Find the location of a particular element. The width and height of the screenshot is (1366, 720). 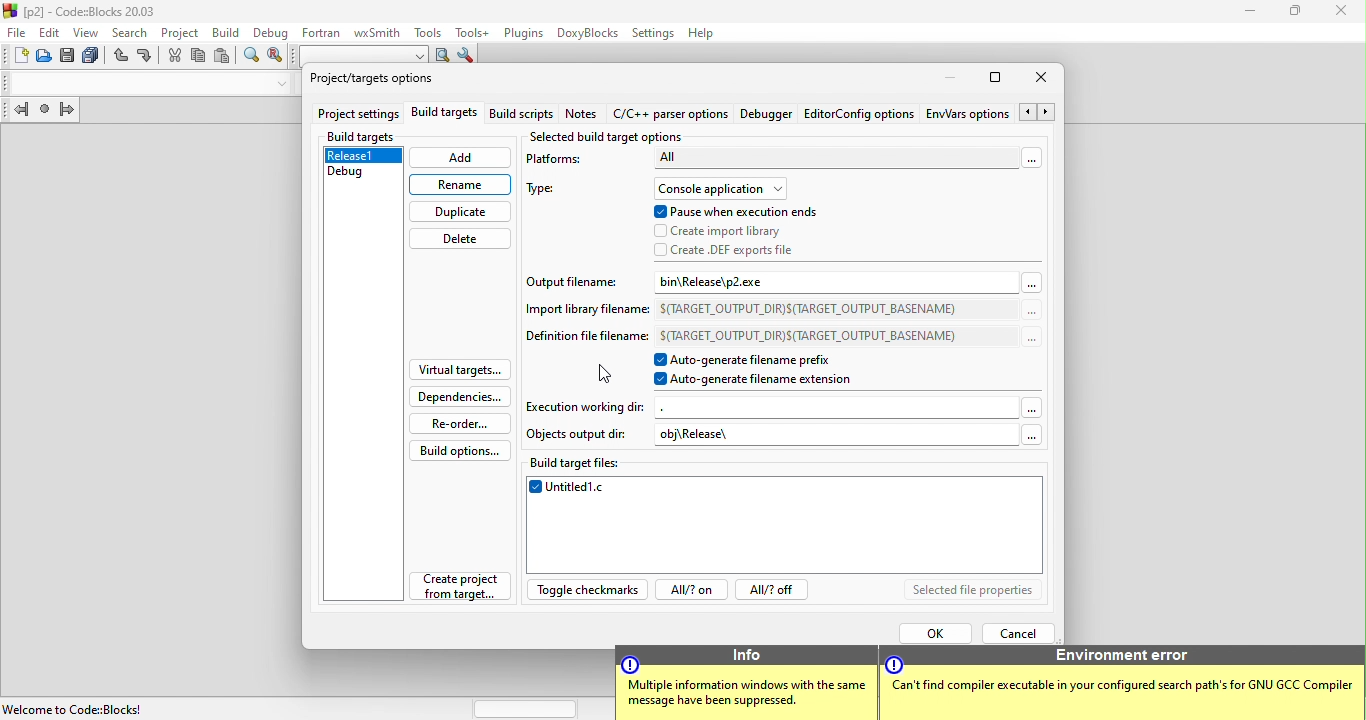

bin\Release\p2.exe is located at coordinates (745, 283).